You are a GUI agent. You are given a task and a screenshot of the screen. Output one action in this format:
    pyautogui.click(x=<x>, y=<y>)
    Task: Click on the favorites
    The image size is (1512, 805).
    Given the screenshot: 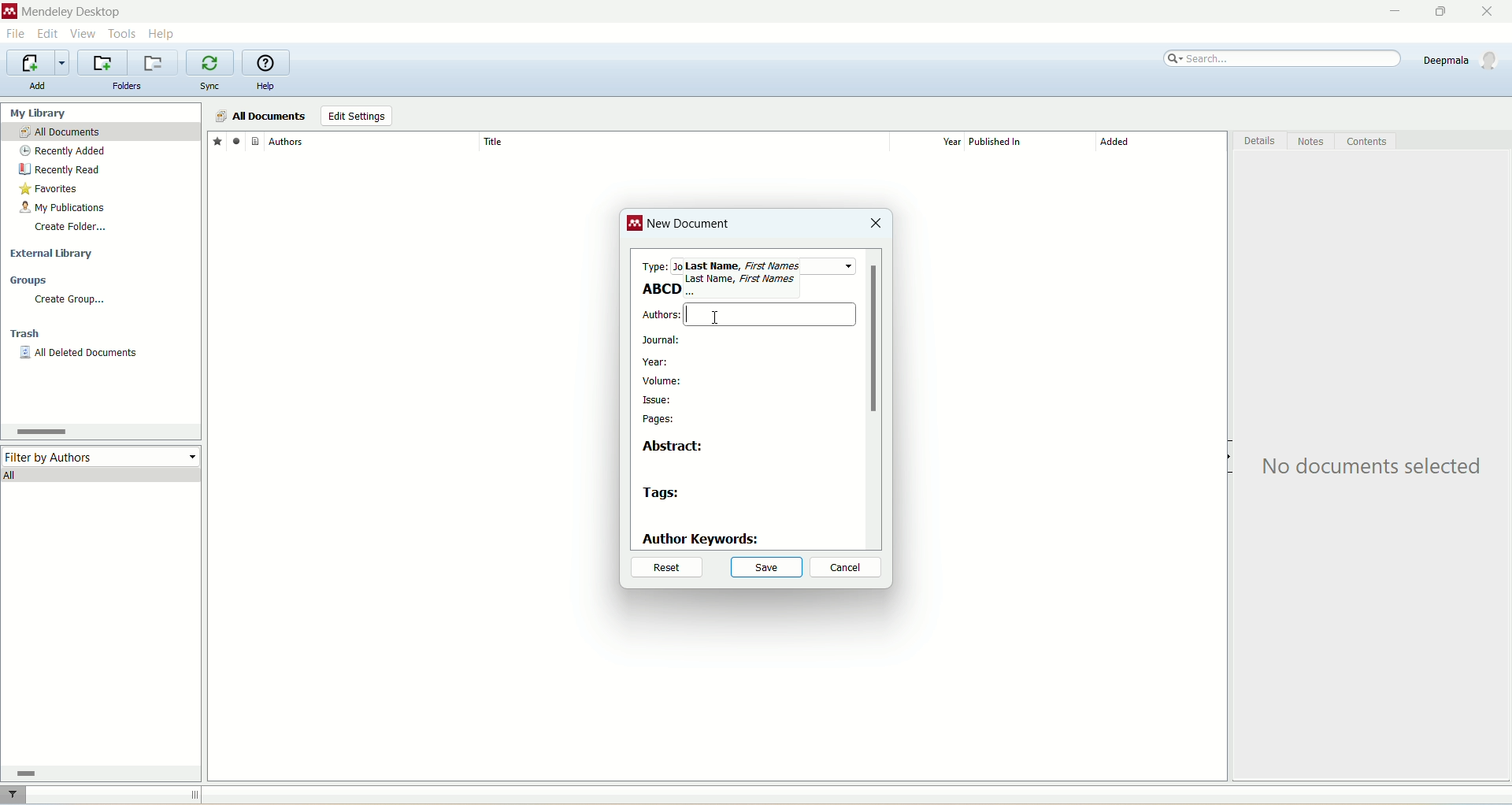 What is the action you would take?
    pyautogui.click(x=217, y=140)
    